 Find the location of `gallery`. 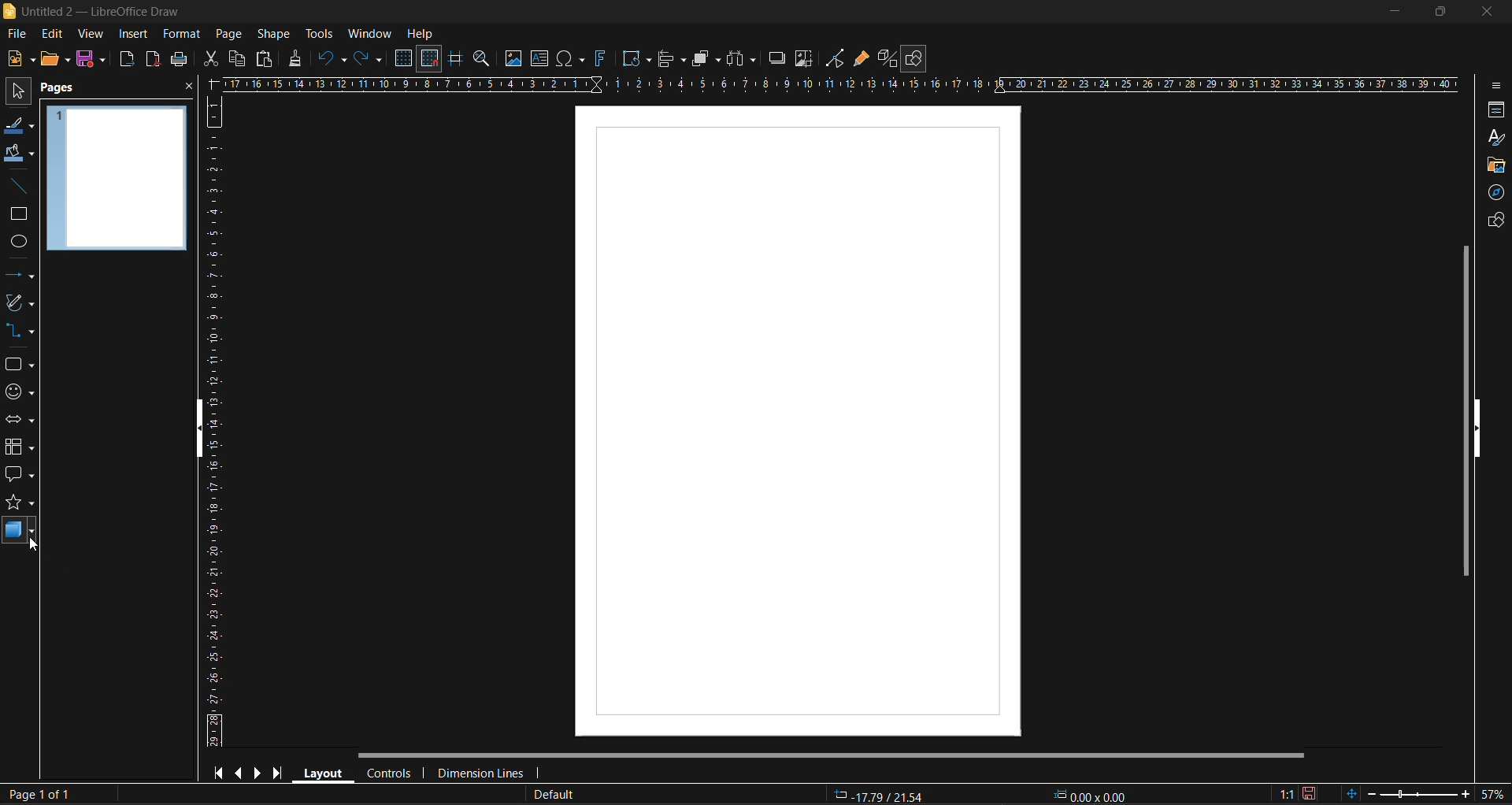

gallery is located at coordinates (1496, 165).